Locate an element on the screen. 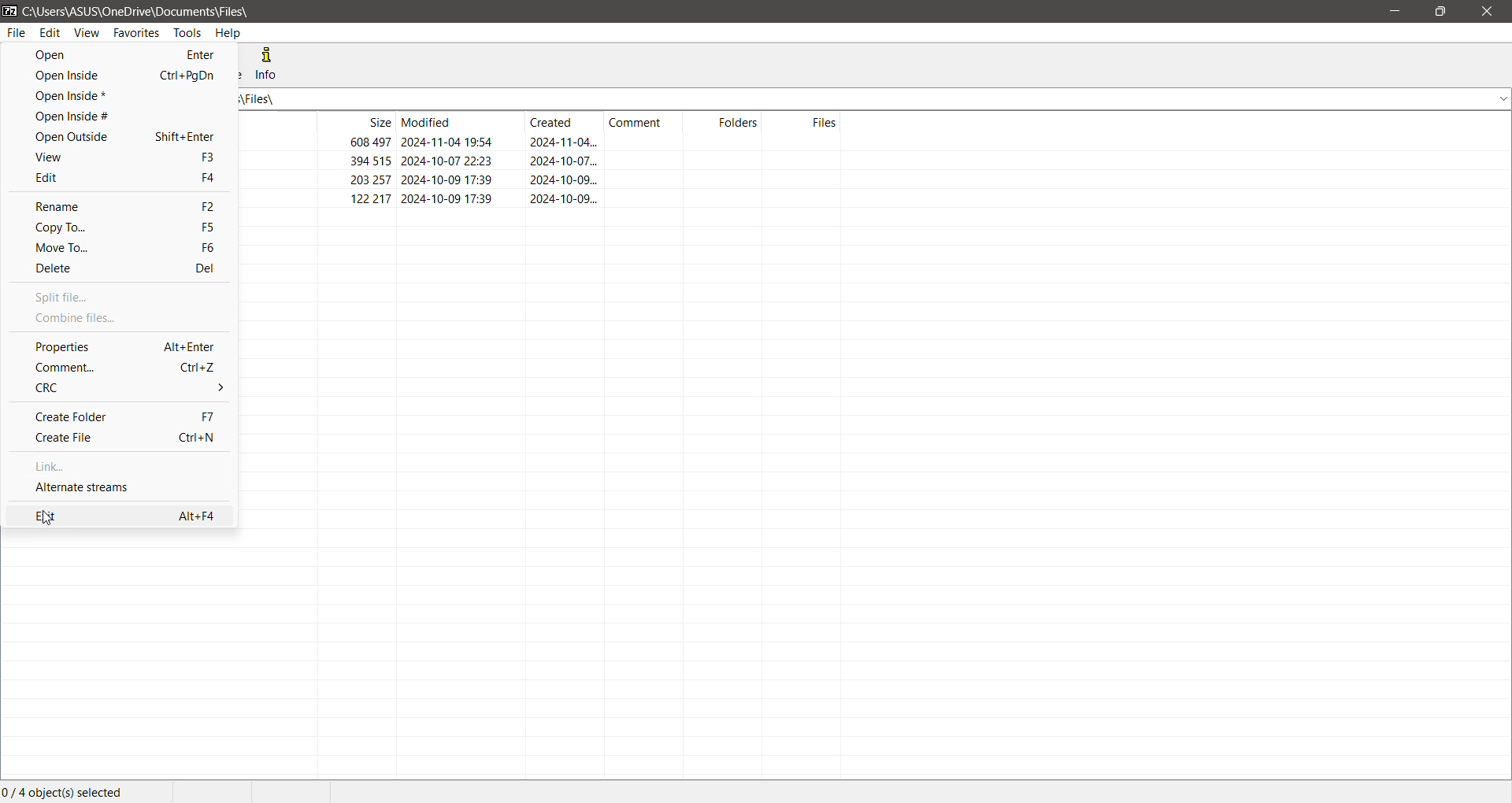 The image size is (1512, 803). Restore Down is located at coordinates (1443, 10).